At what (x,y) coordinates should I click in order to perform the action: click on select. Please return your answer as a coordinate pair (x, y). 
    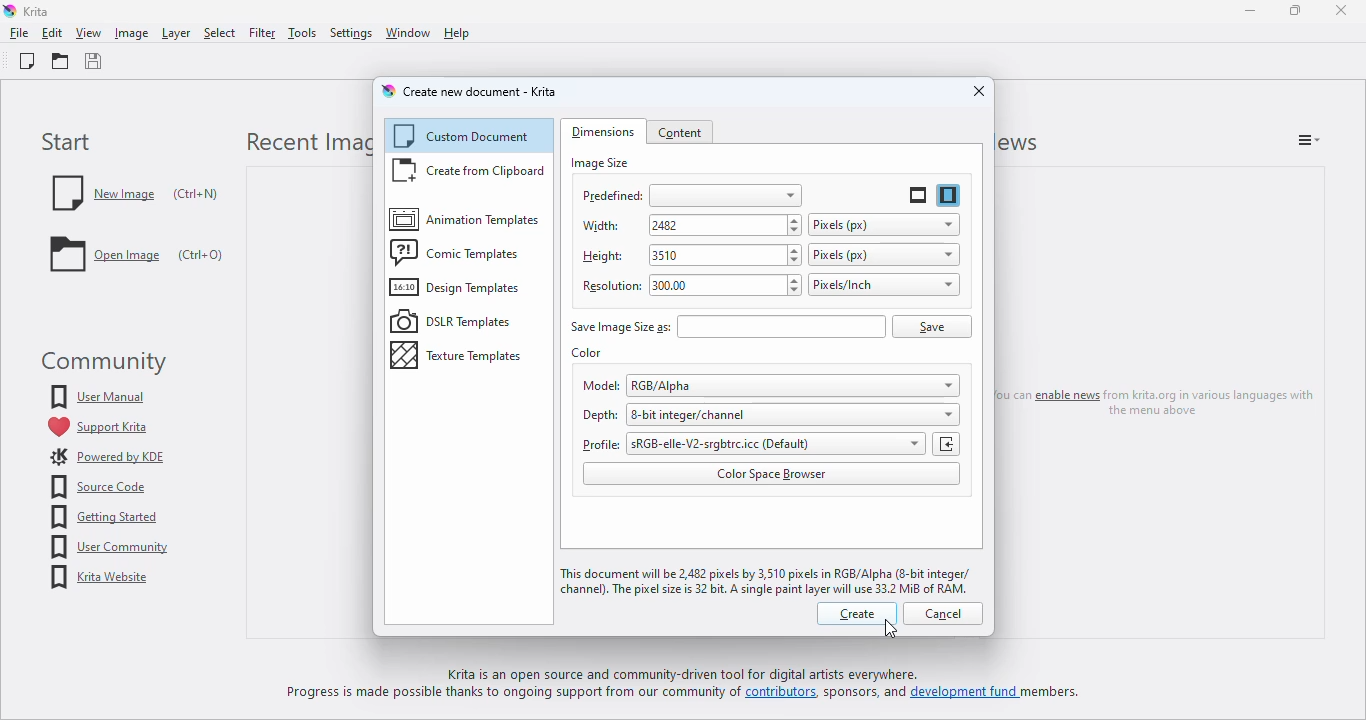
    Looking at the image, I should click on (219, 33).